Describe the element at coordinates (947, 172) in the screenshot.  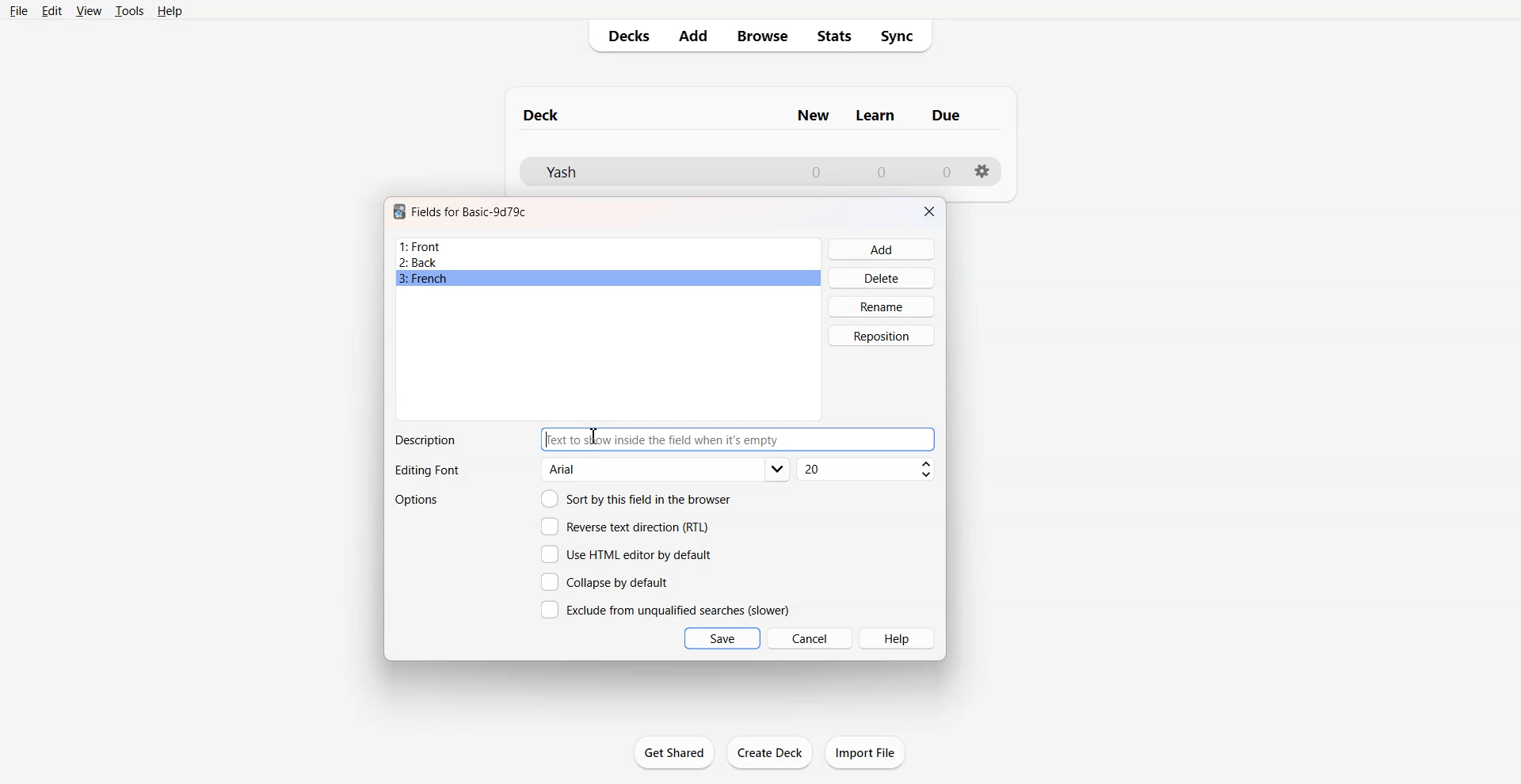
I see `Number of due cards` at that location.